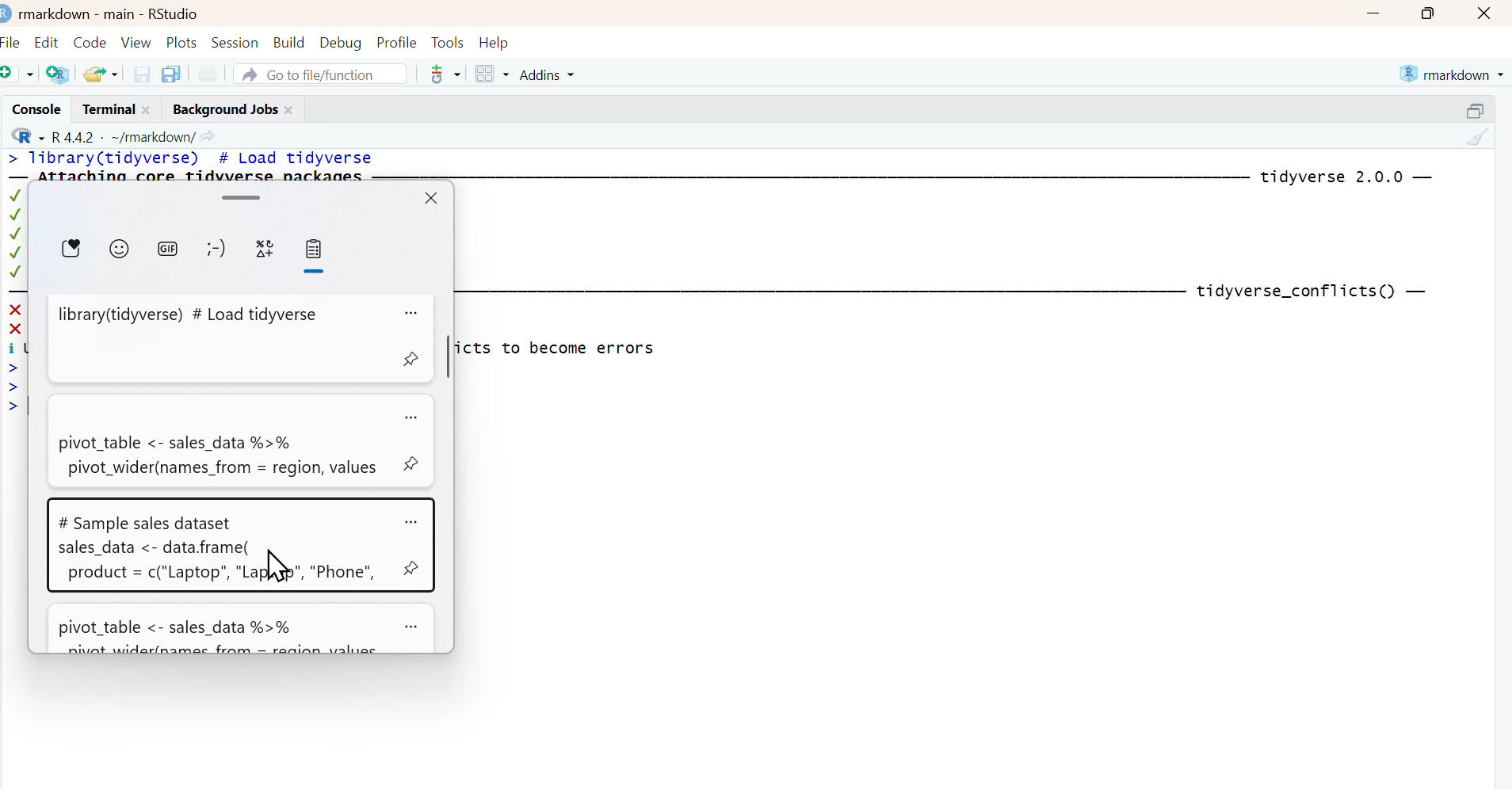 The width and height of the screenshot is (1512, 789). Describe the element at coordinates (1480, 108) in the screenshot. I see `resize` at that location.